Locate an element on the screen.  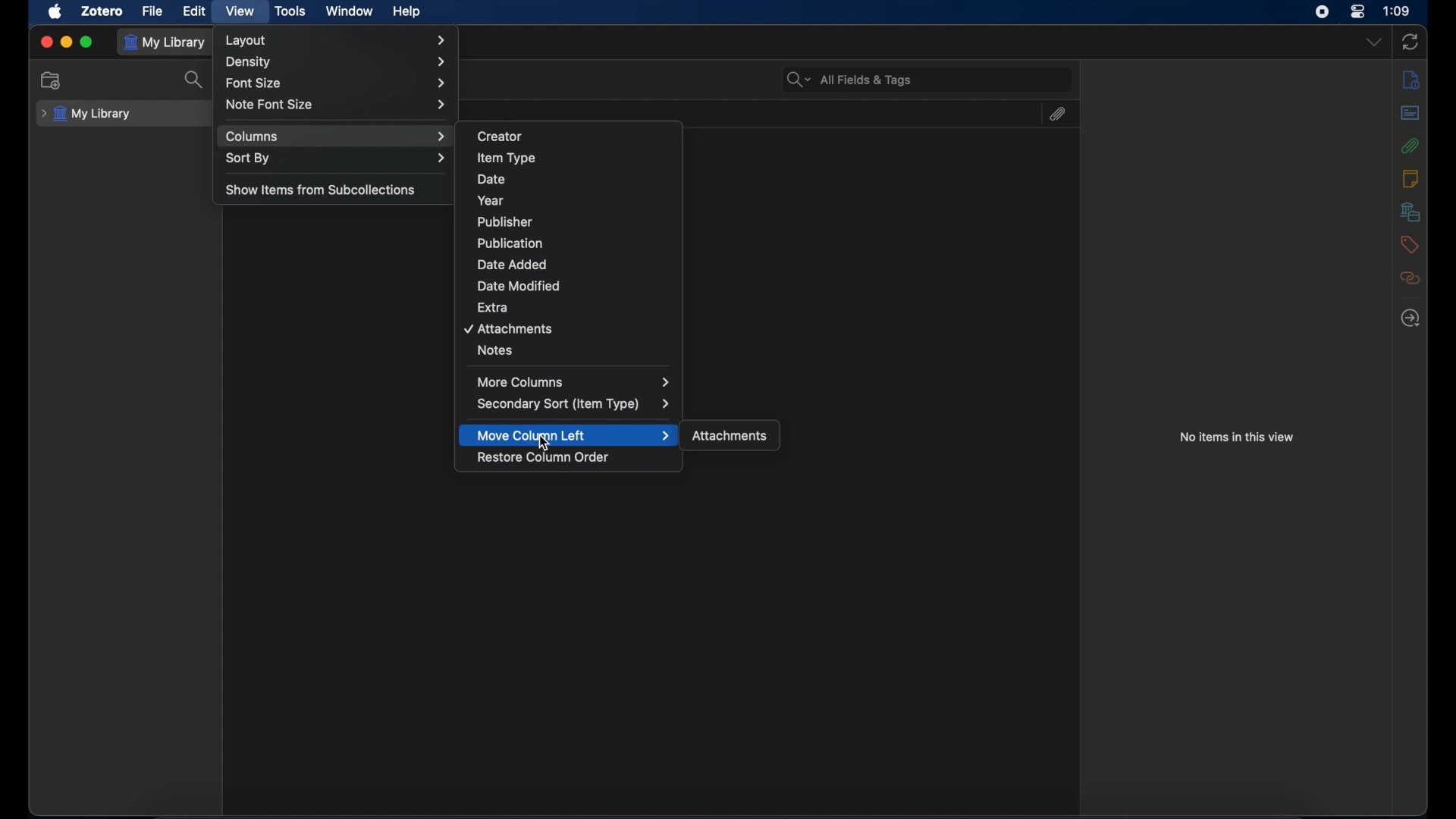
sync is located at coordinates (1411, 42).